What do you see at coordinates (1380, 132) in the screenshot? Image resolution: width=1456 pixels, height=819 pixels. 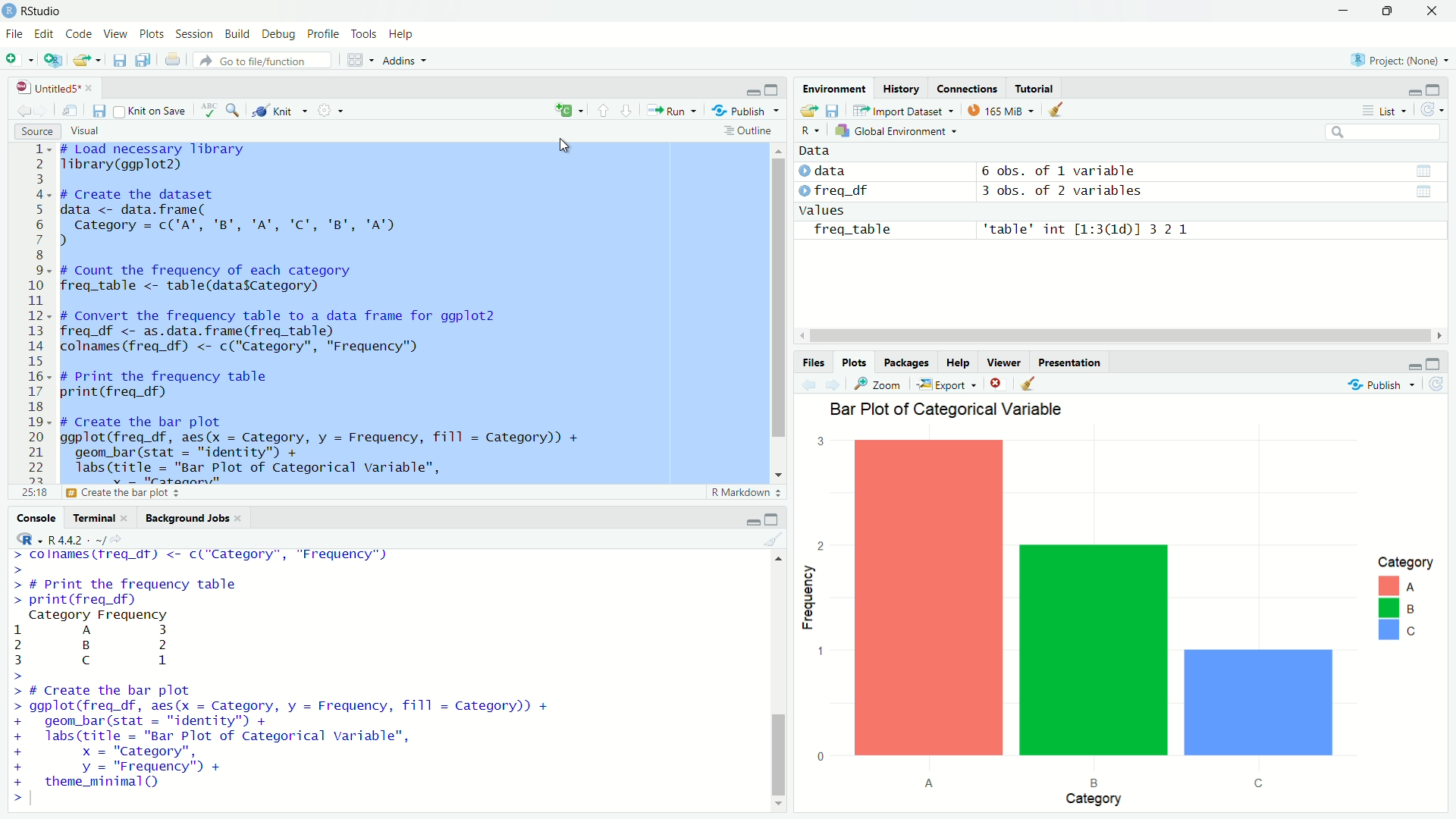 I see `search bar` at bounding box center [1380, 132].